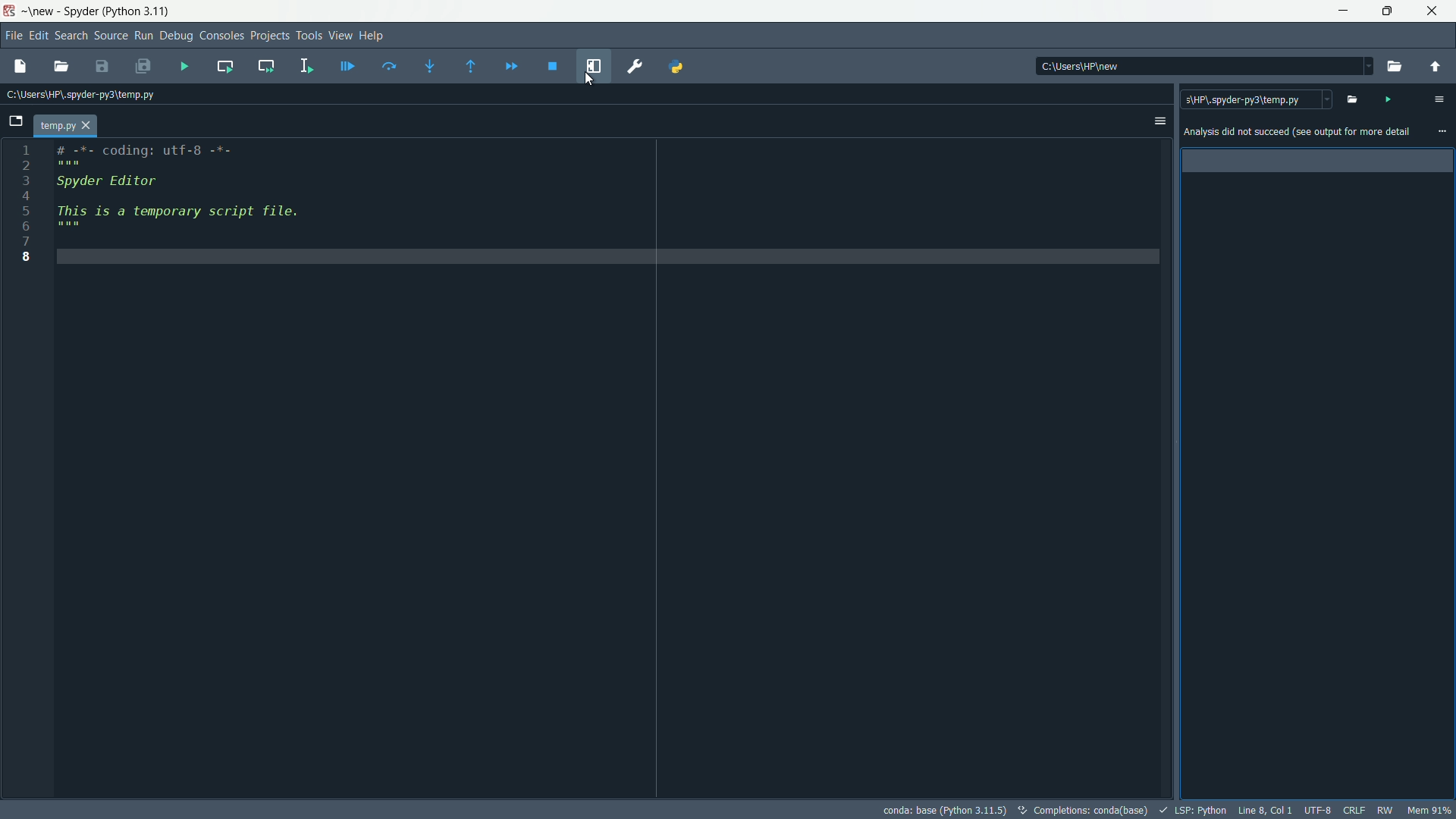  Describe the element at coordinates (1152, 122) in the screenshot. I see `Hamburger Menu` at that location.